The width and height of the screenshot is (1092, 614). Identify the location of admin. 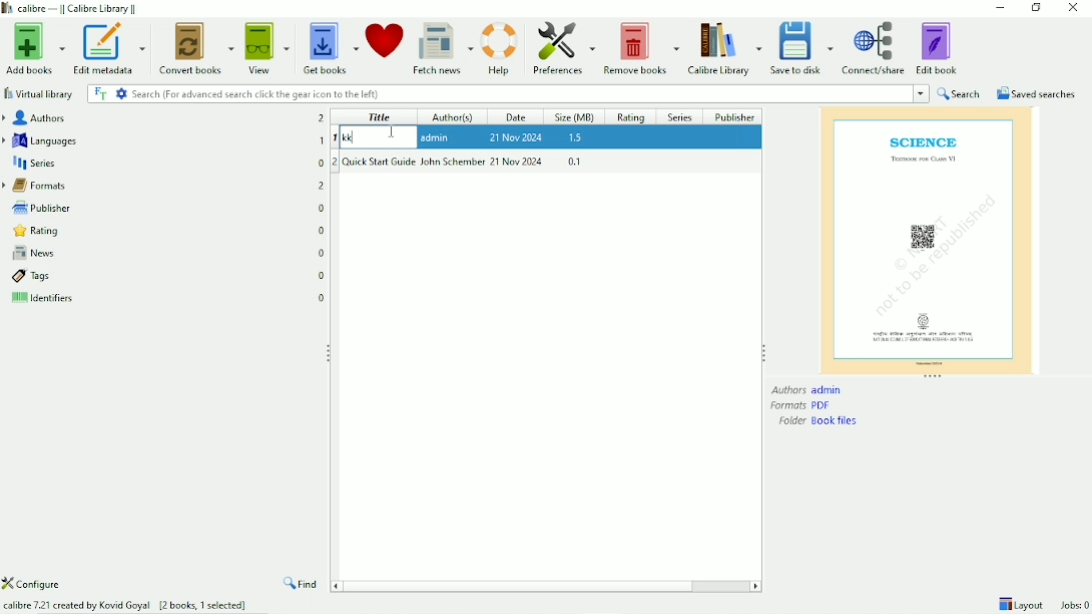
(438, 137).